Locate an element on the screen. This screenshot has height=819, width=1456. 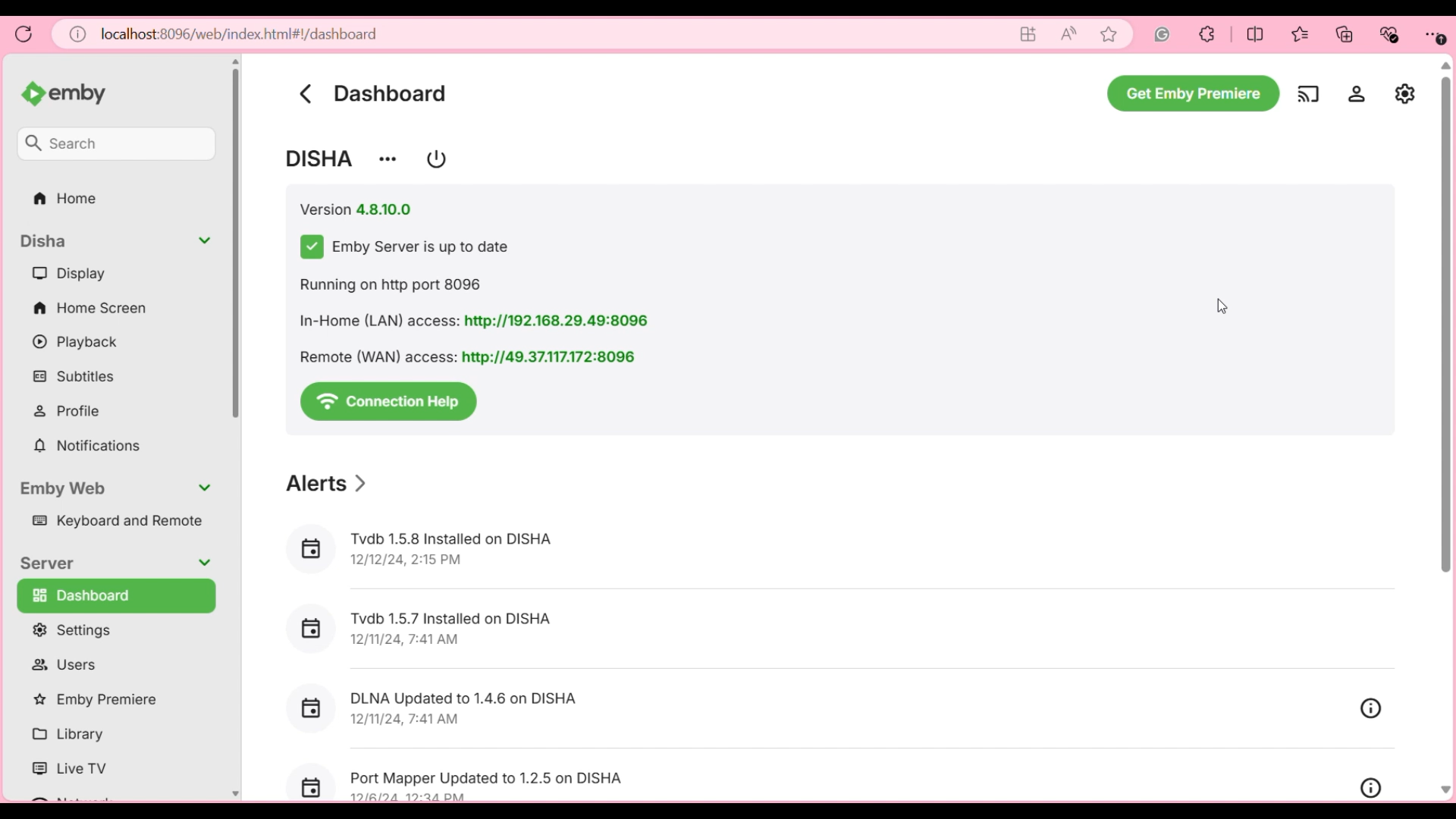
Browser extensions is located at coordinates (1207, 34).